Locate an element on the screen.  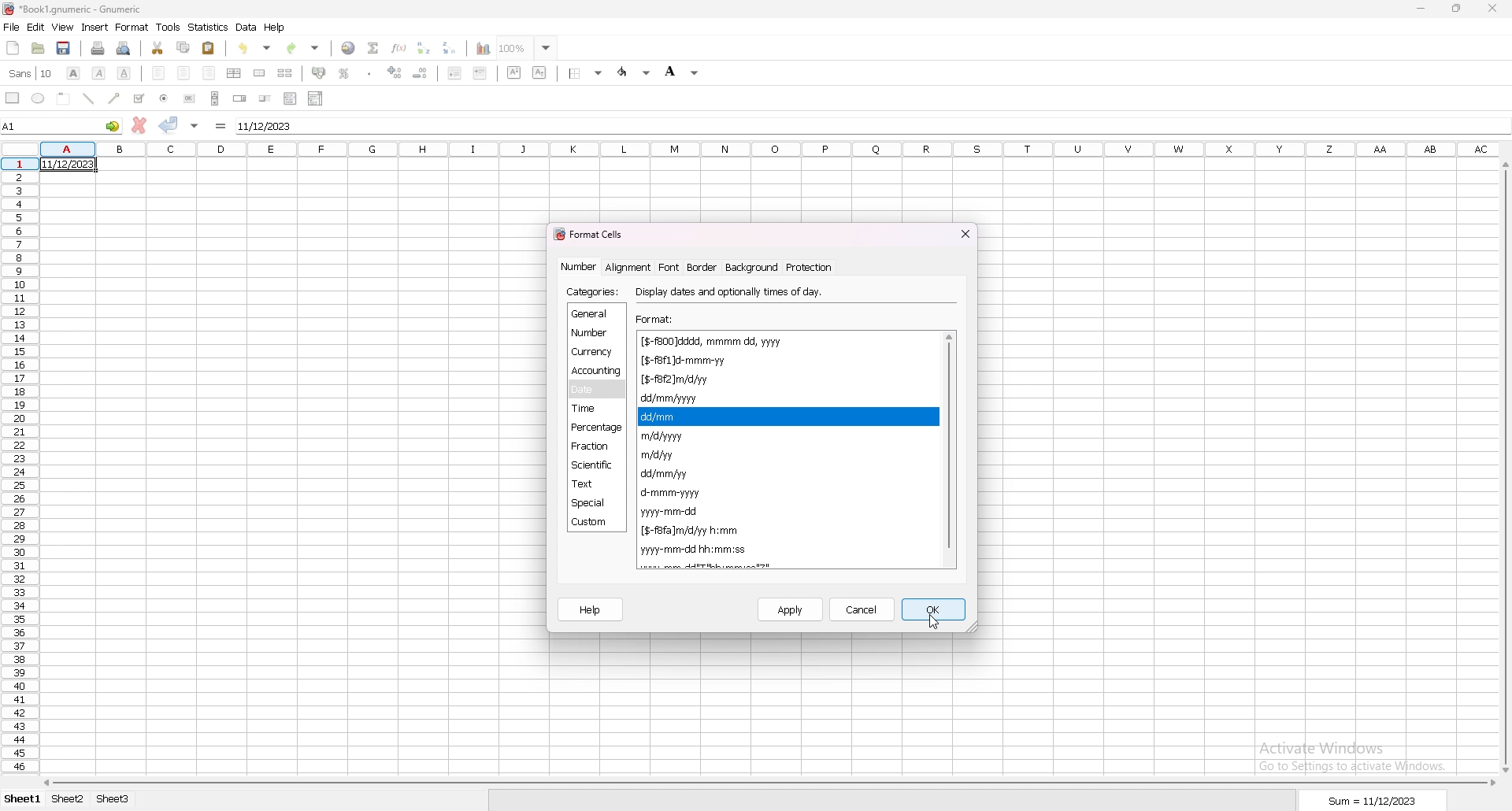
currency is located at coordinates (595, 353).